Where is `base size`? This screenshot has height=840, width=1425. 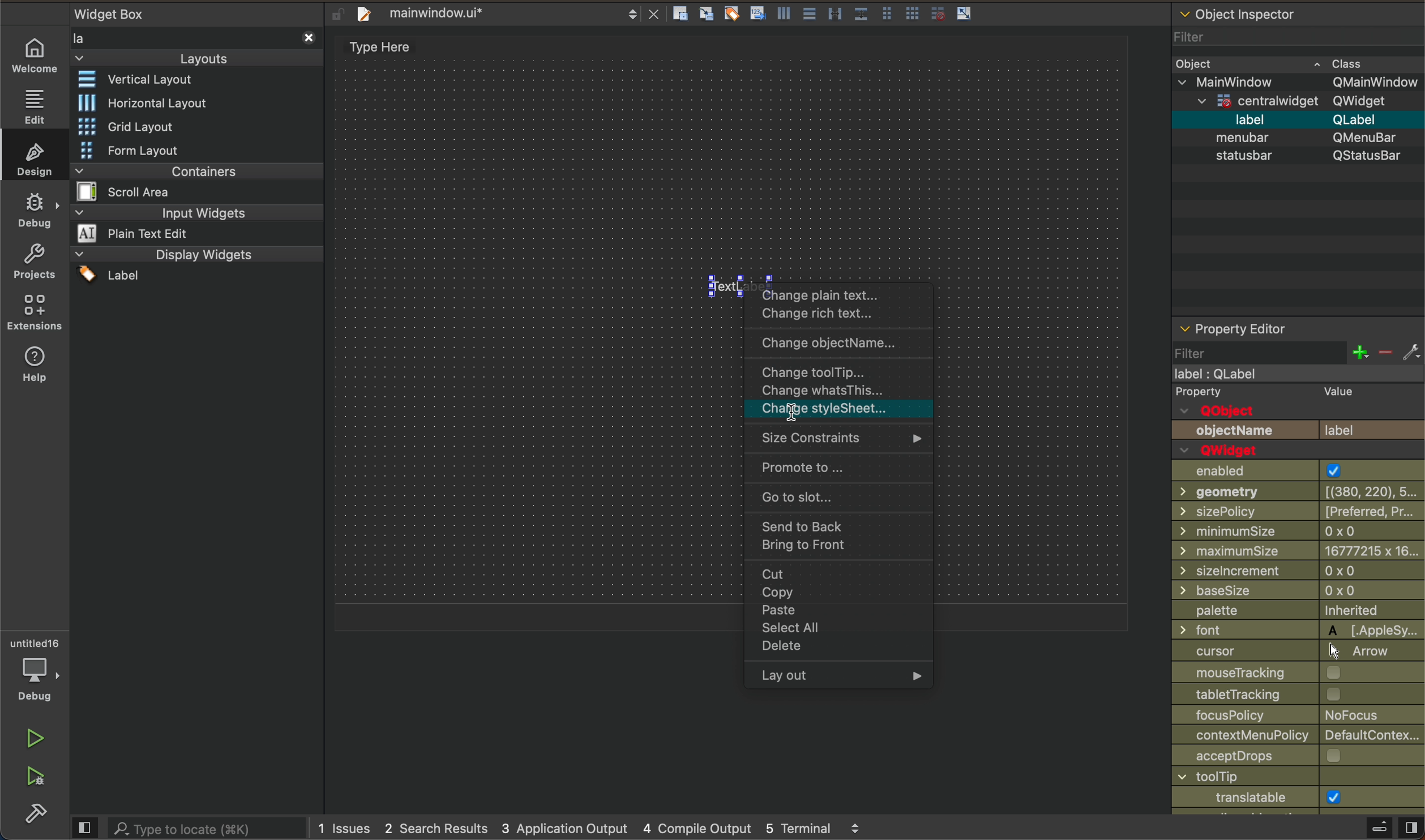 base size is located at coordinates (1296, 592).